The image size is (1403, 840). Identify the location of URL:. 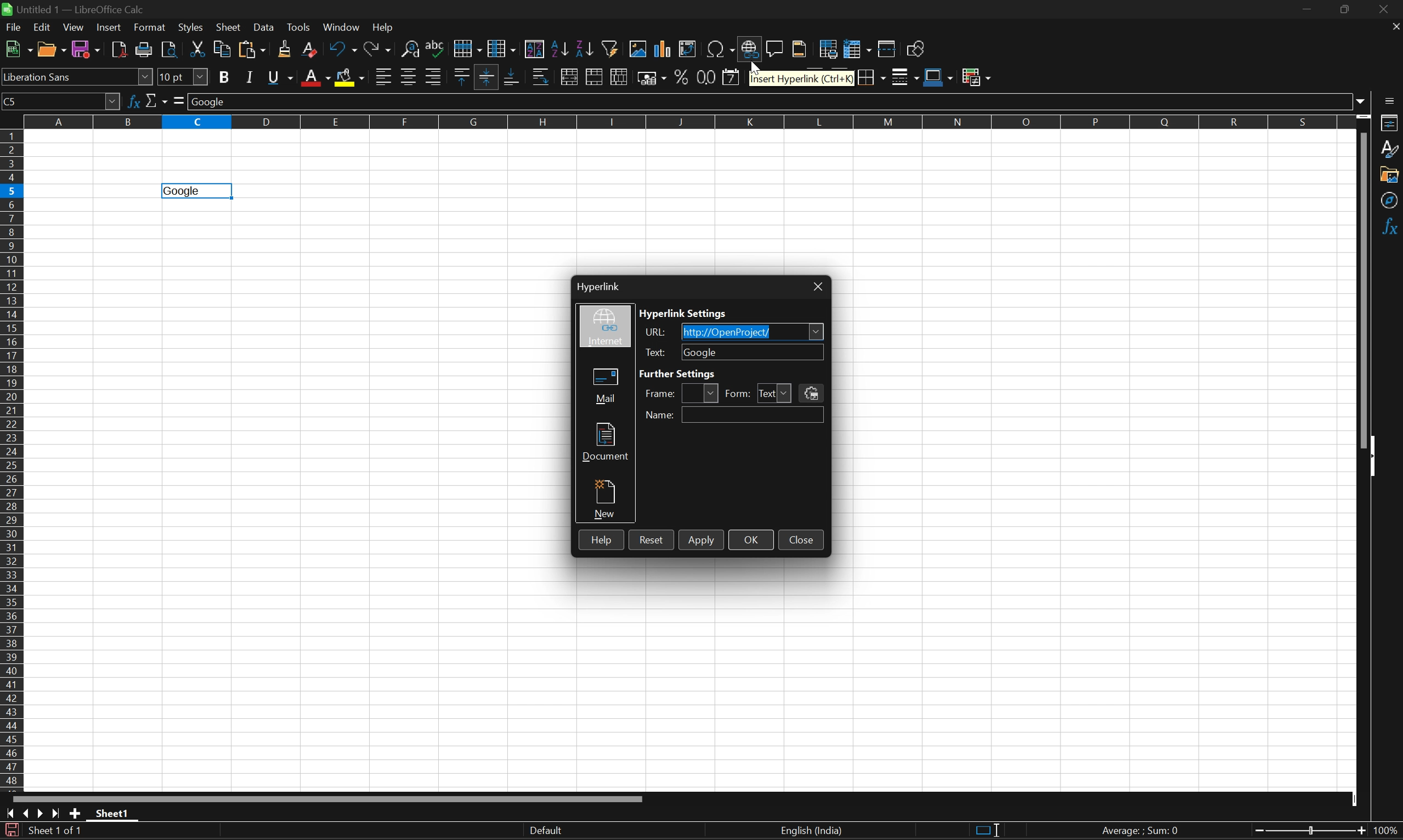
(658, 333).